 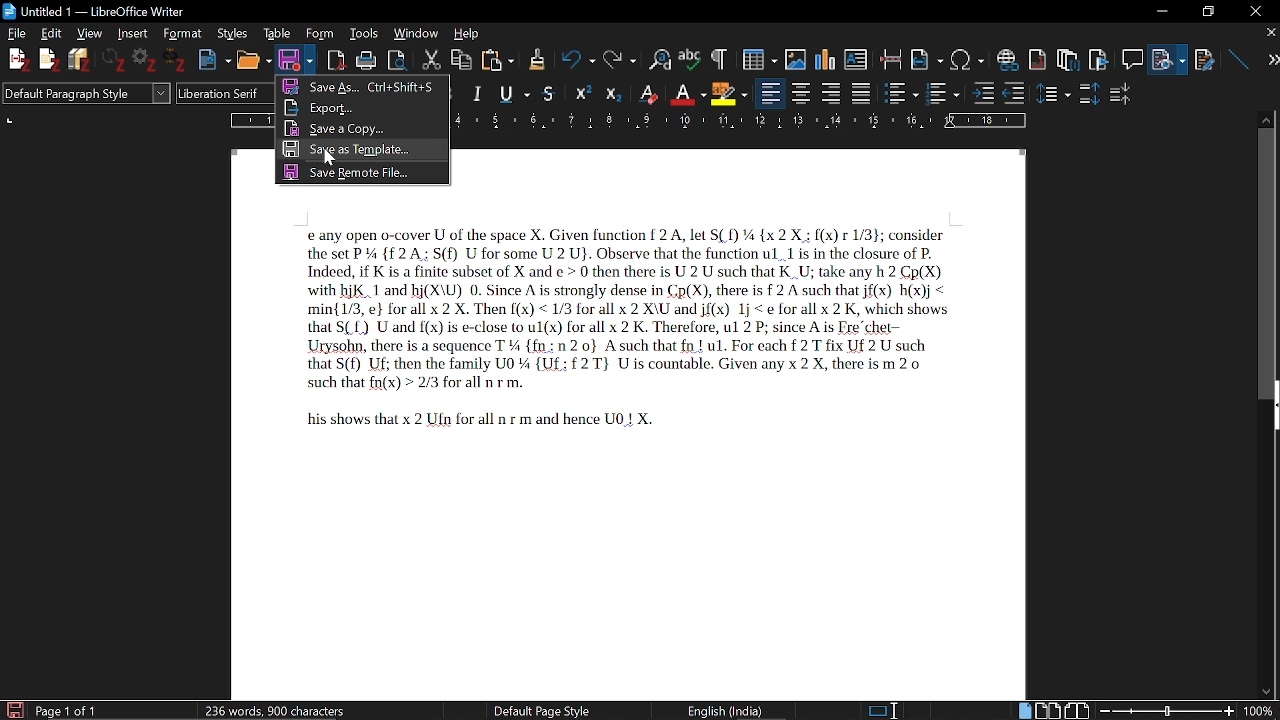 I want to click on Tools, so click(x=361, y=33).